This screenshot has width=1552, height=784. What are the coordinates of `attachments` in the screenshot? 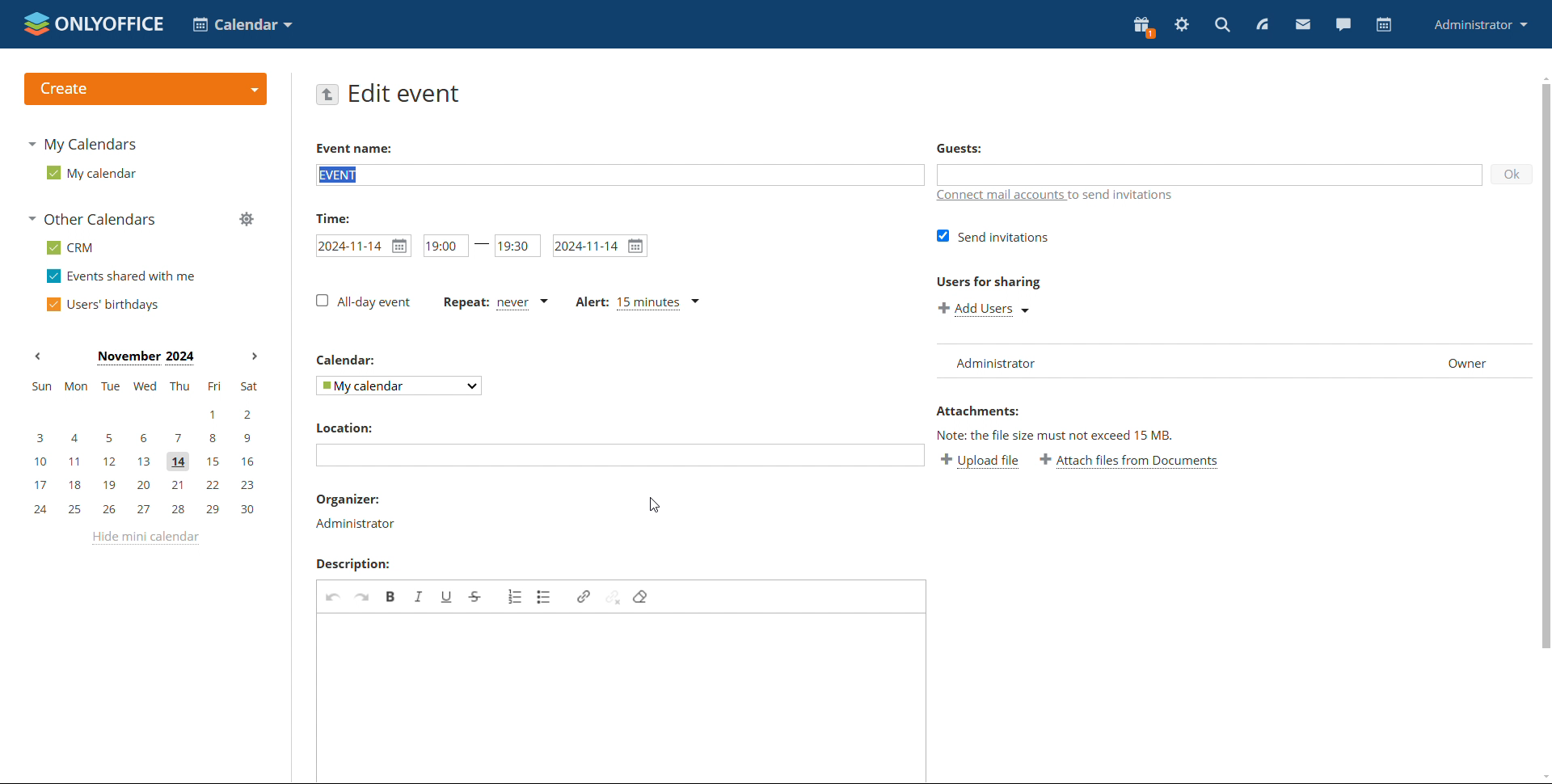 It's located at (985, 411).